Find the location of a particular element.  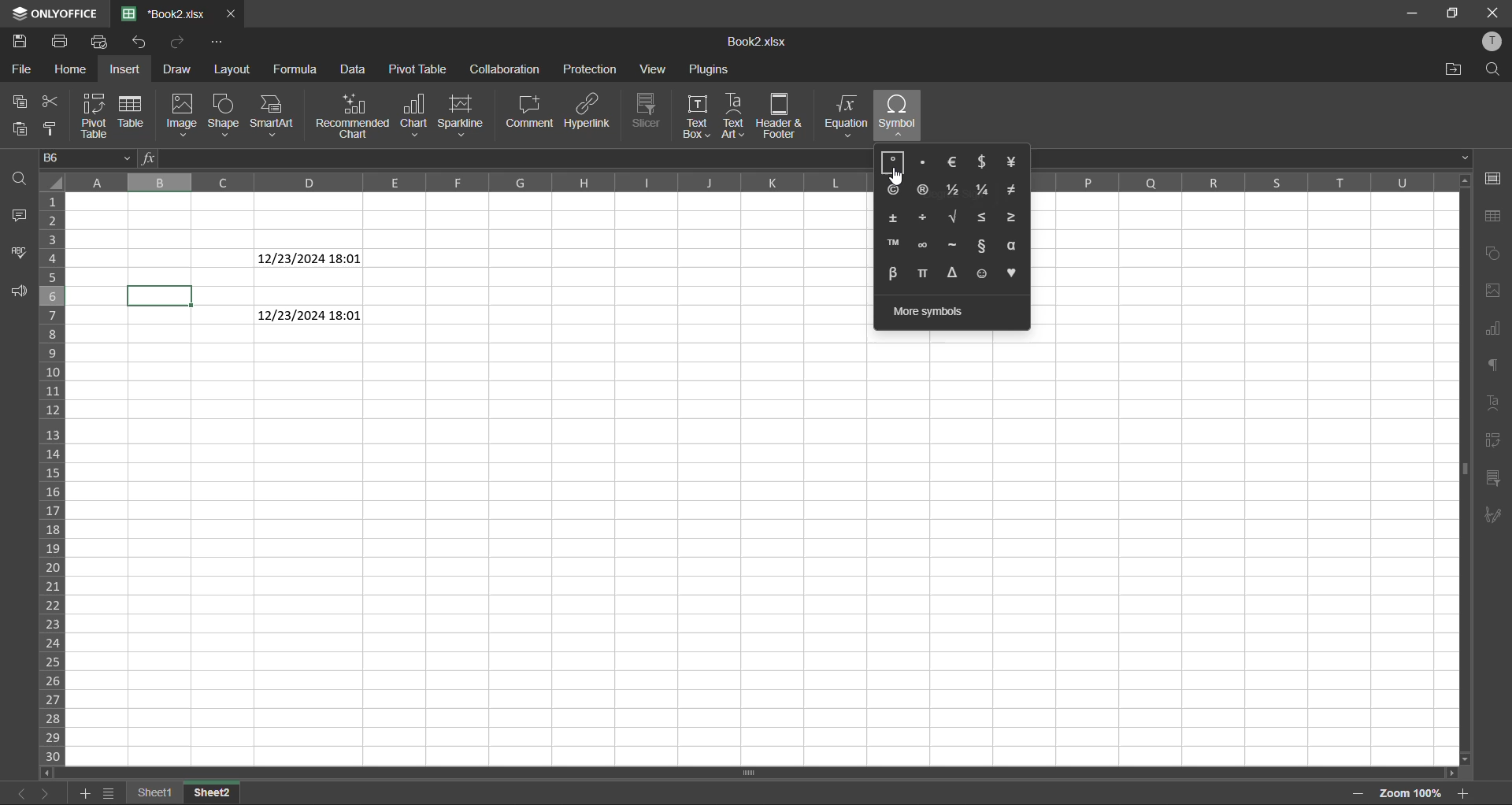

smiling face is located at coordinates (984, 276).